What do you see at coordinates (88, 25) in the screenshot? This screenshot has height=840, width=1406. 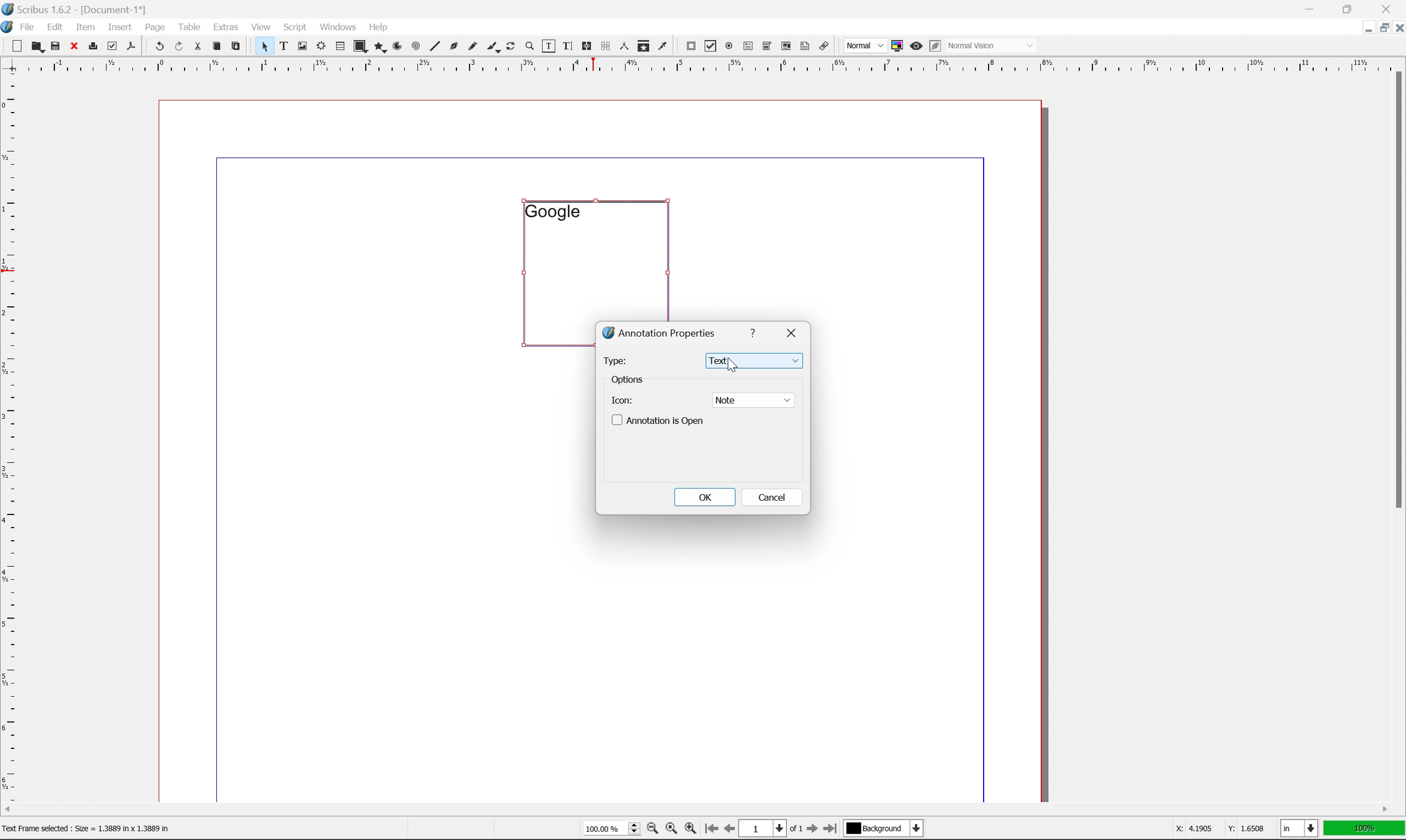 I see `item` at bounding box center [88, 25].